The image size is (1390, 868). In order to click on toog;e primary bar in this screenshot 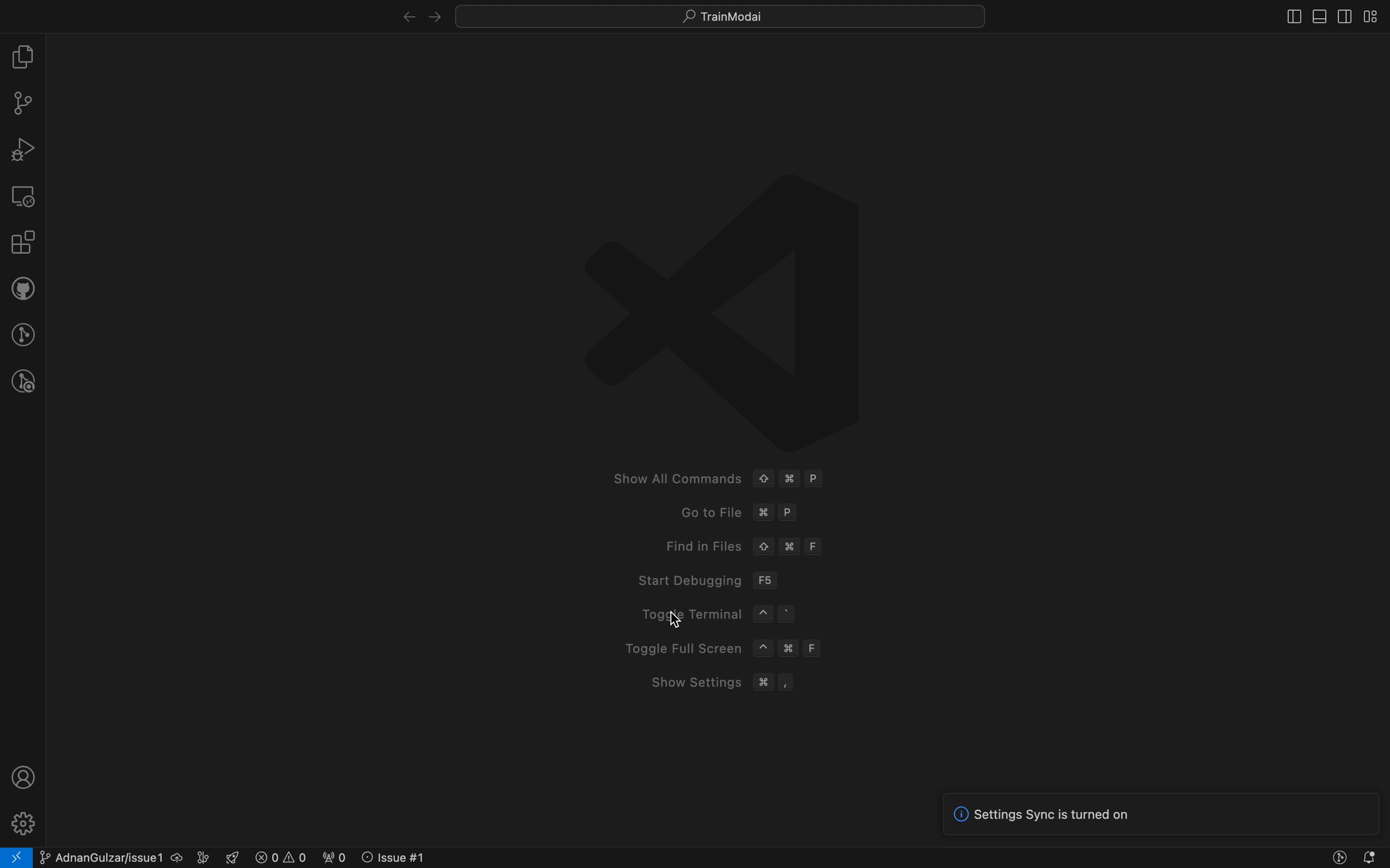, I will do `click(1317, 17)`.